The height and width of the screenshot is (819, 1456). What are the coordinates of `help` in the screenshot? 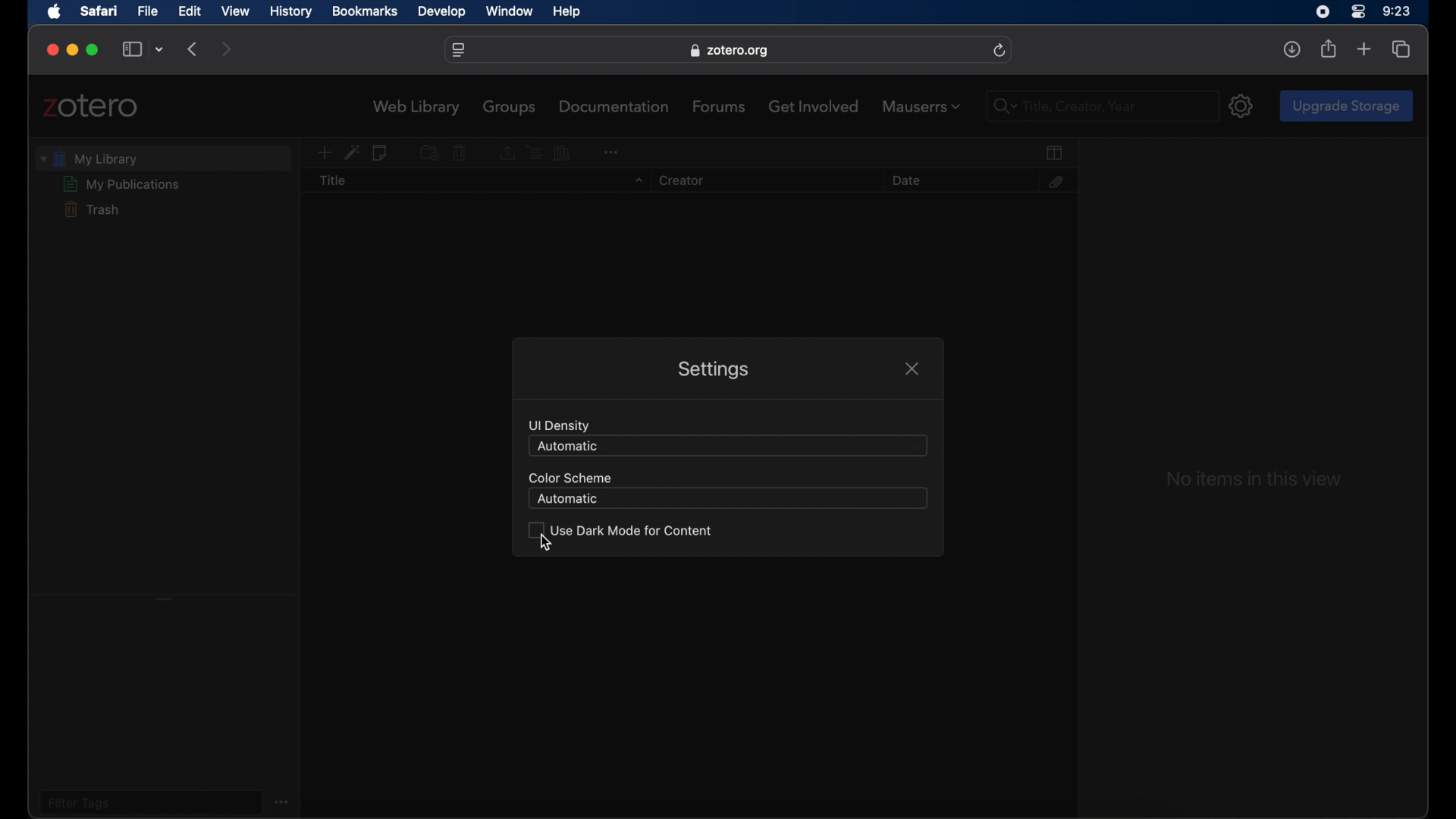 It's located at (566, 12).